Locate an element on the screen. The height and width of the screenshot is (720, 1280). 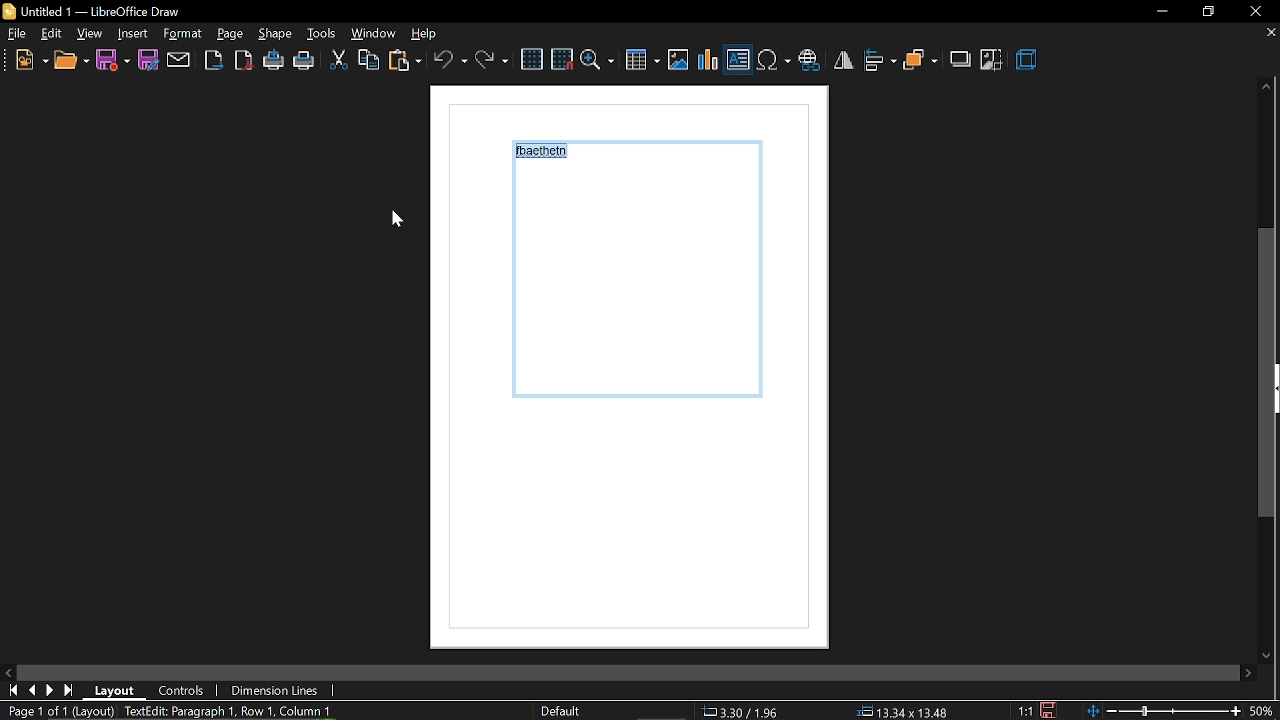
undo is located at coordinates (449, 60).